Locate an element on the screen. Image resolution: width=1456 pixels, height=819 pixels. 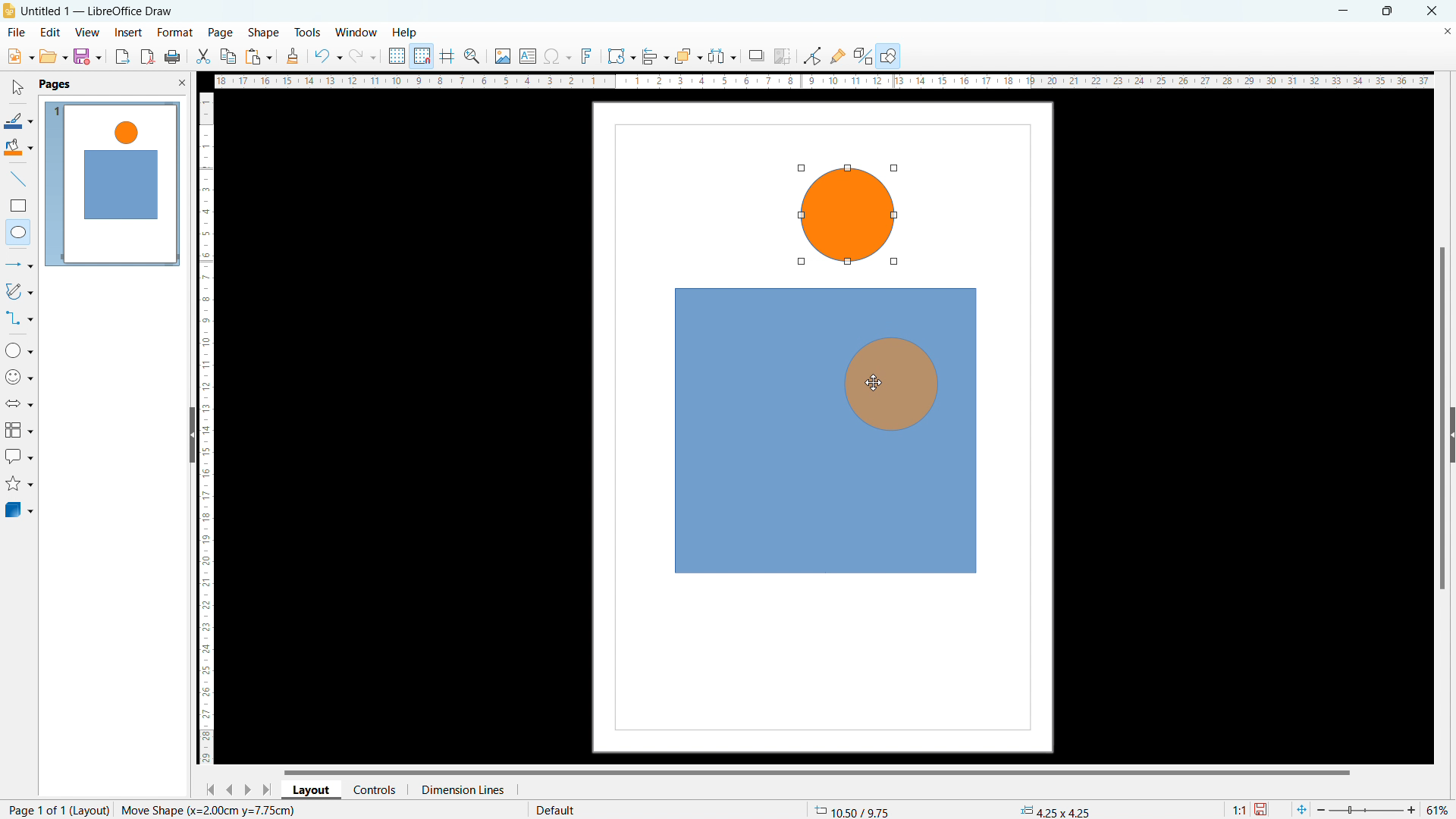
basic shapes is located at coordinates (19, 350).